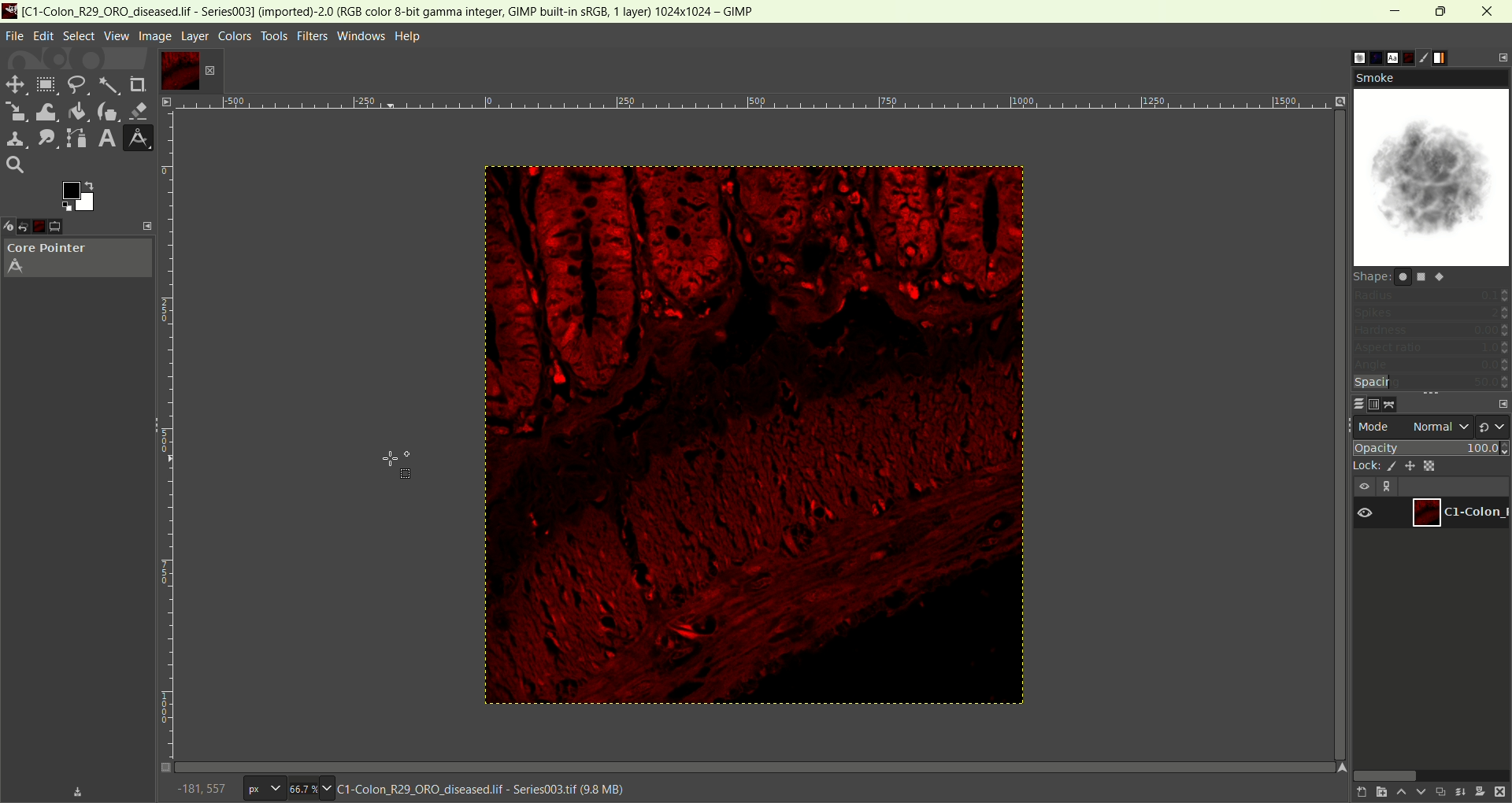  What do you see at coordinates (1409, 465) in the screenshot?
I see `lock position and size` at bounding box center [1409, 465].